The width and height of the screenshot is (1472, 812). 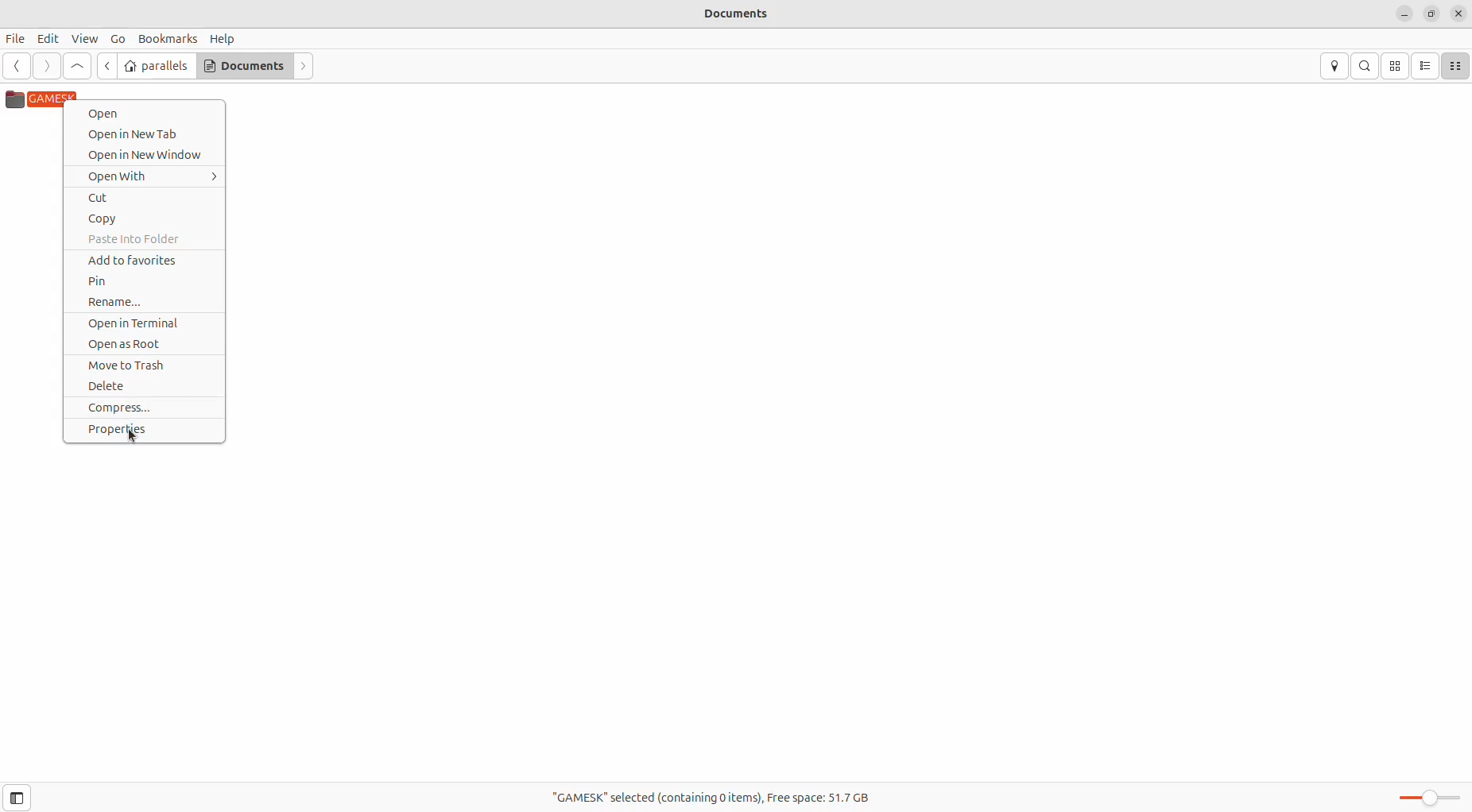 What do you see at coordinates (1394, 66) in the screenshot?
I see `icon view` at bounding box center [1394, 66].